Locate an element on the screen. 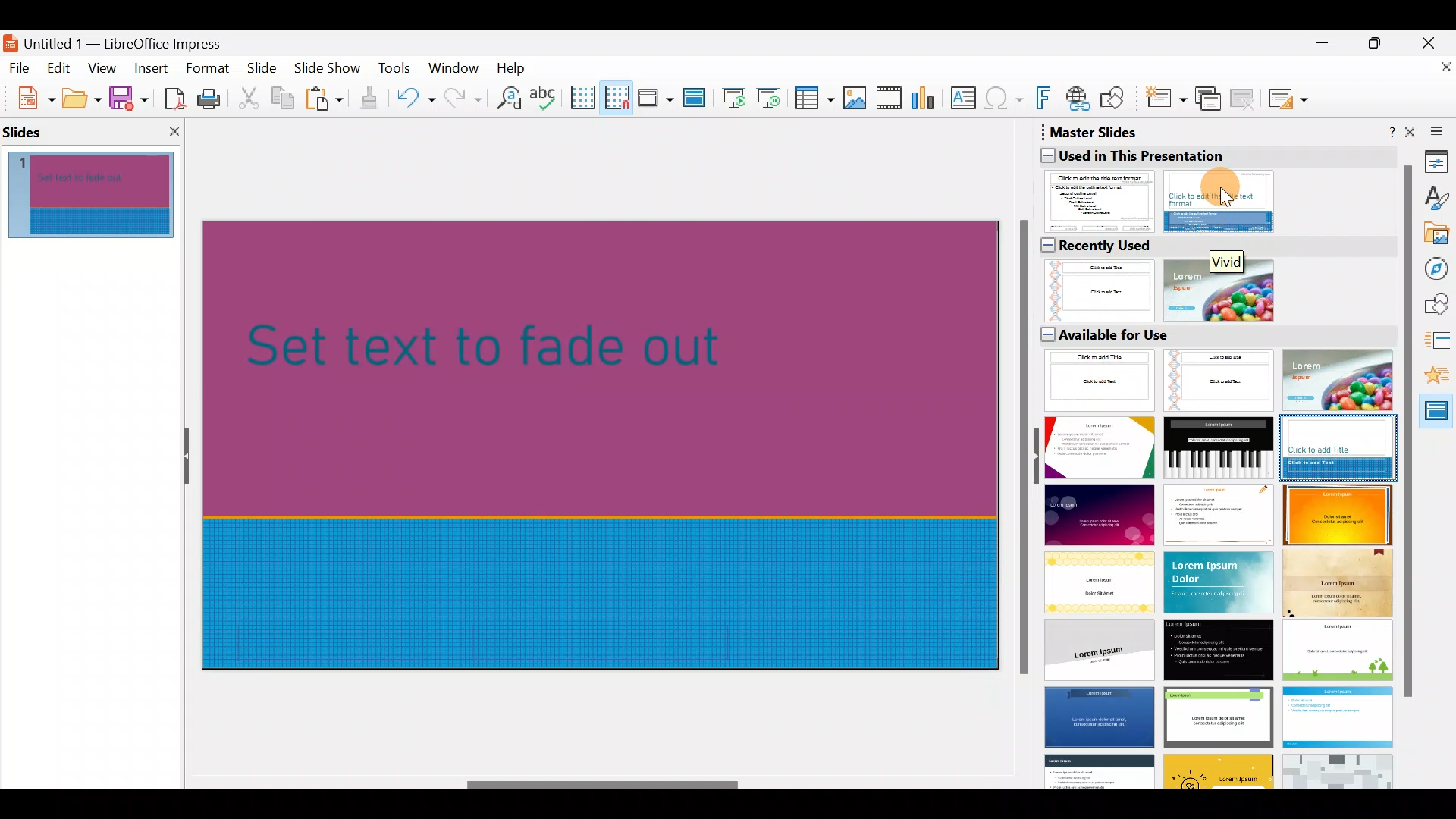  Minimise is located at coordinates (1320, 50).